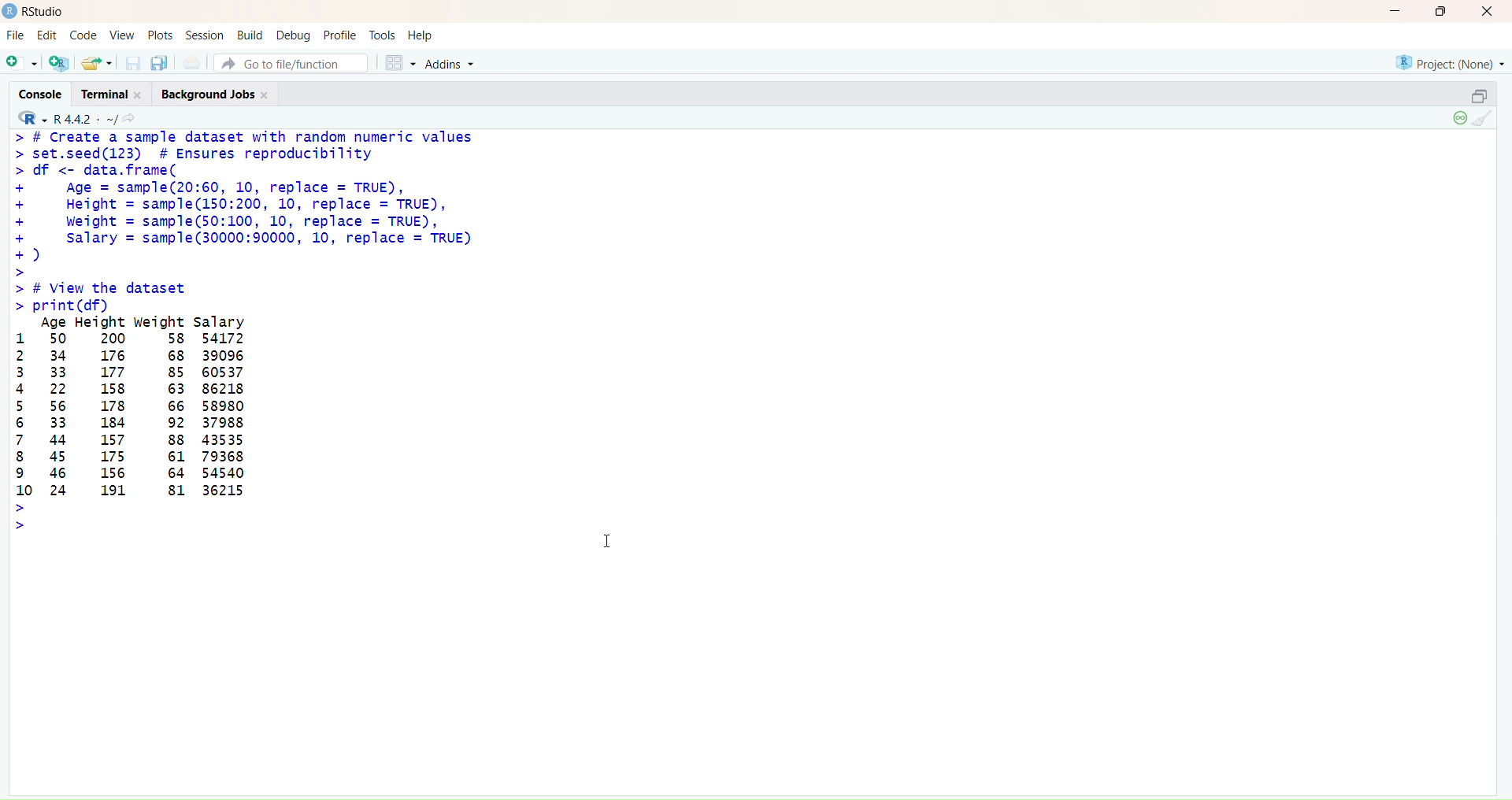  I want to click on Text cursor, so click(608, 538).